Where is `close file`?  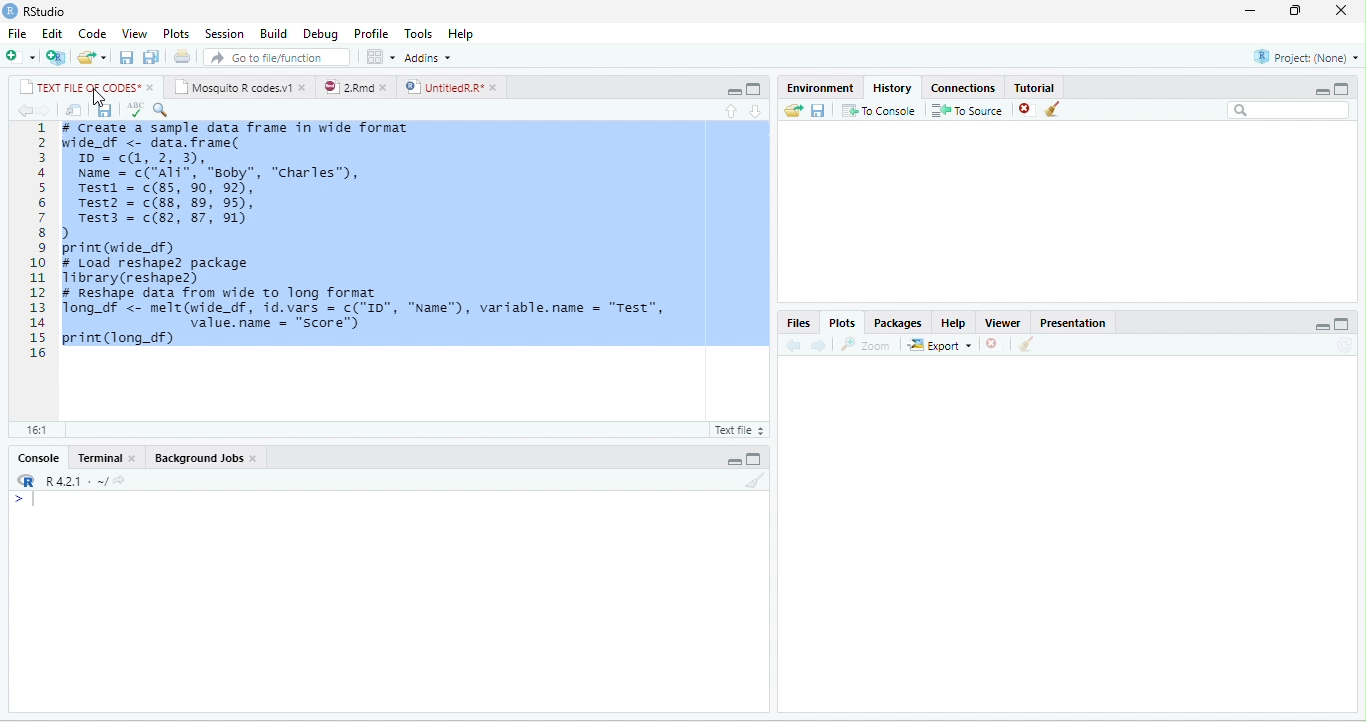
close file is located at coordinates (1027, 109).